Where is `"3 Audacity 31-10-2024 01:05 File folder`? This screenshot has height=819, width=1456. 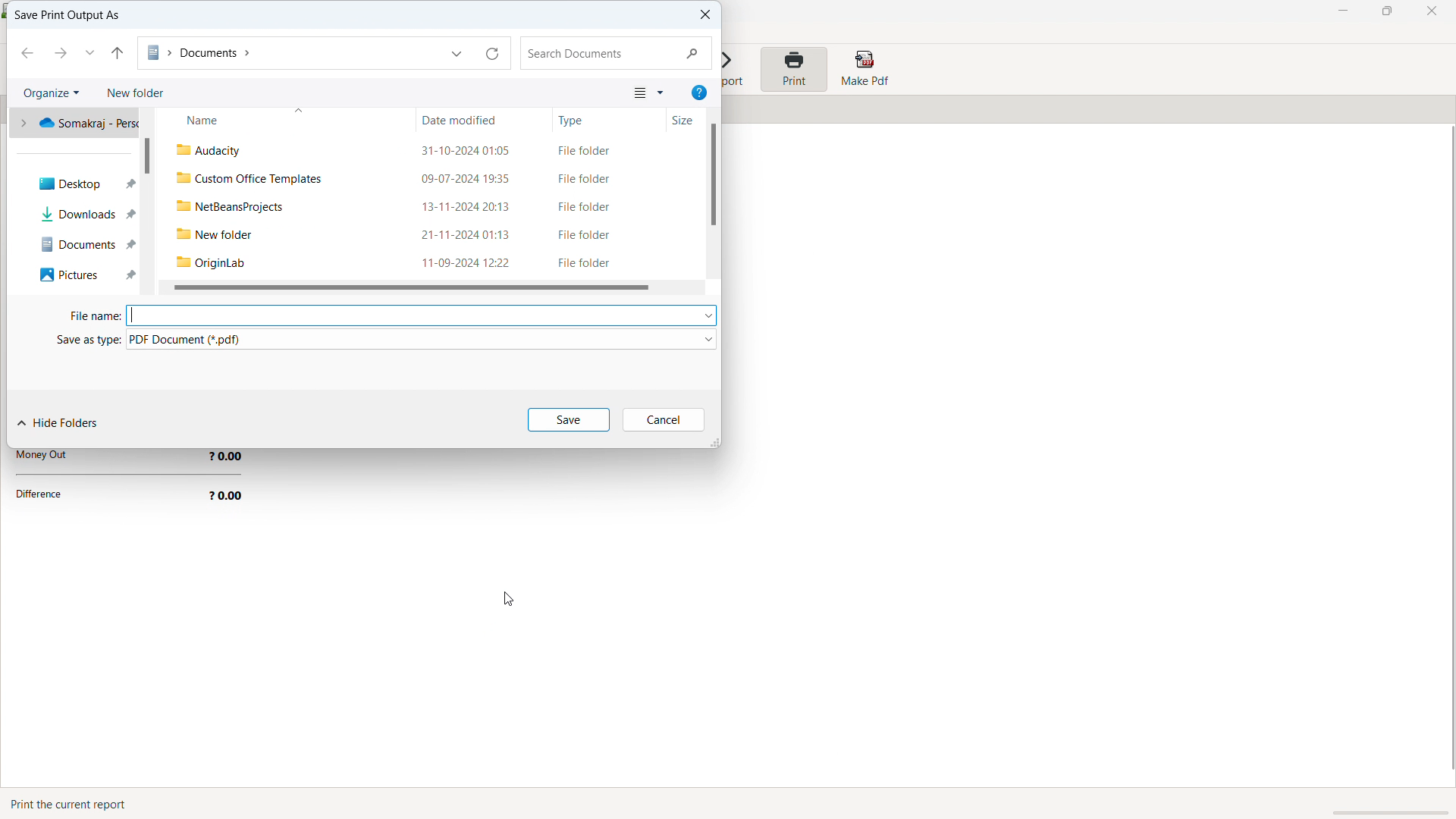
"3 Audacity 31-10-2024 01:05 File folder is located at coordinates (428, 150).